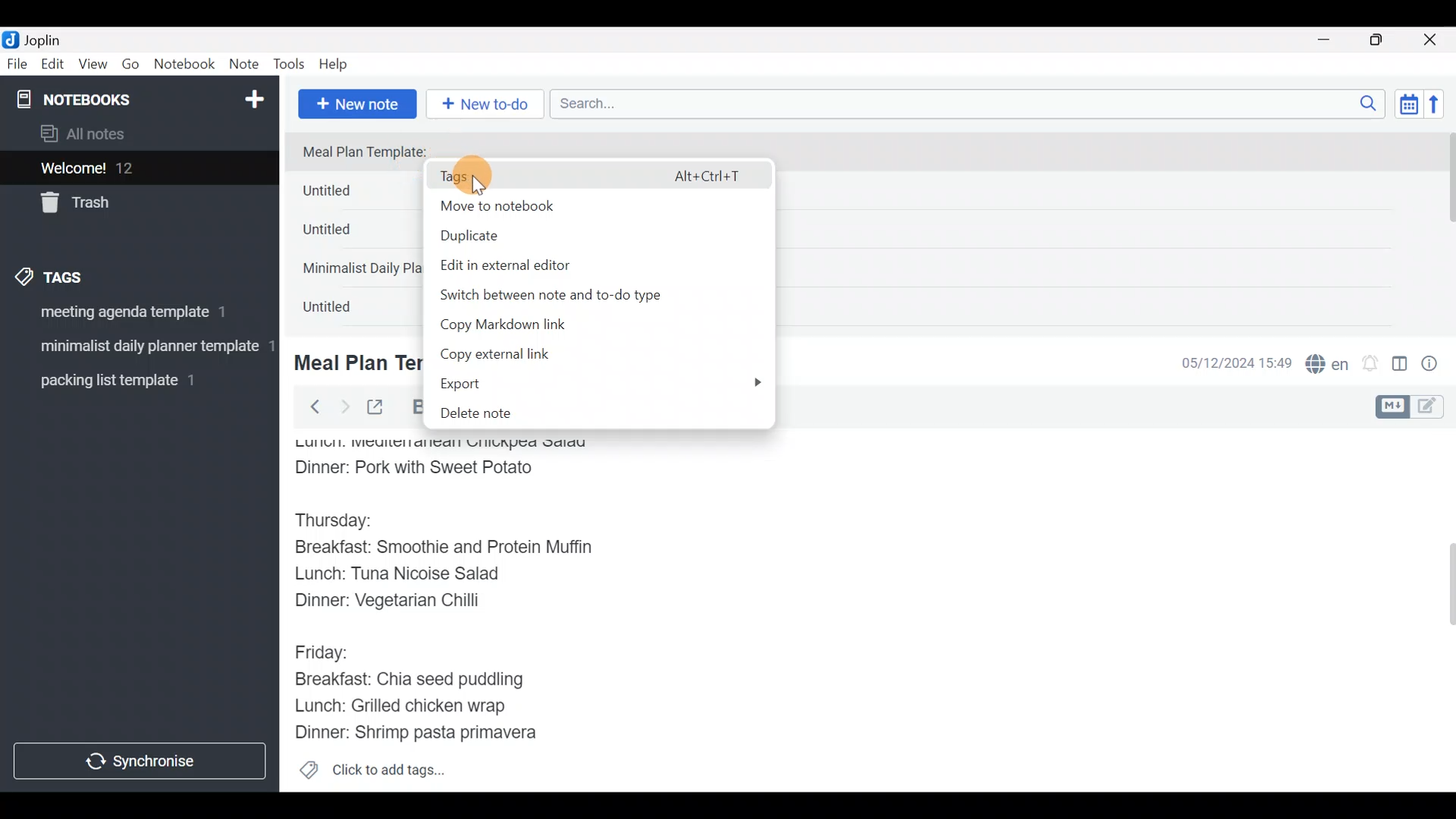 This screenshot has width=1456, height=819. What do you see at coordinates (185, 64) in the screenshot?
I see `Notebook` at bounding box center [185, 64].